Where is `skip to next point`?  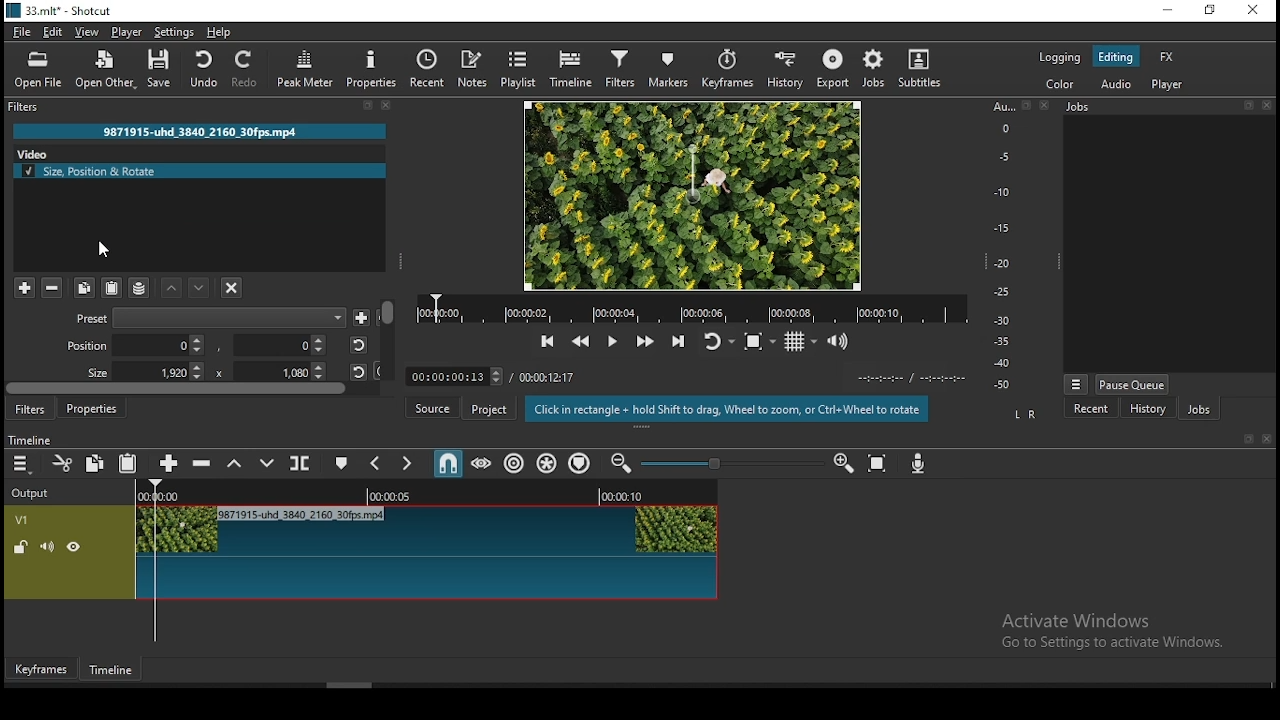 skip to next point is located at coordinates (679, 338).